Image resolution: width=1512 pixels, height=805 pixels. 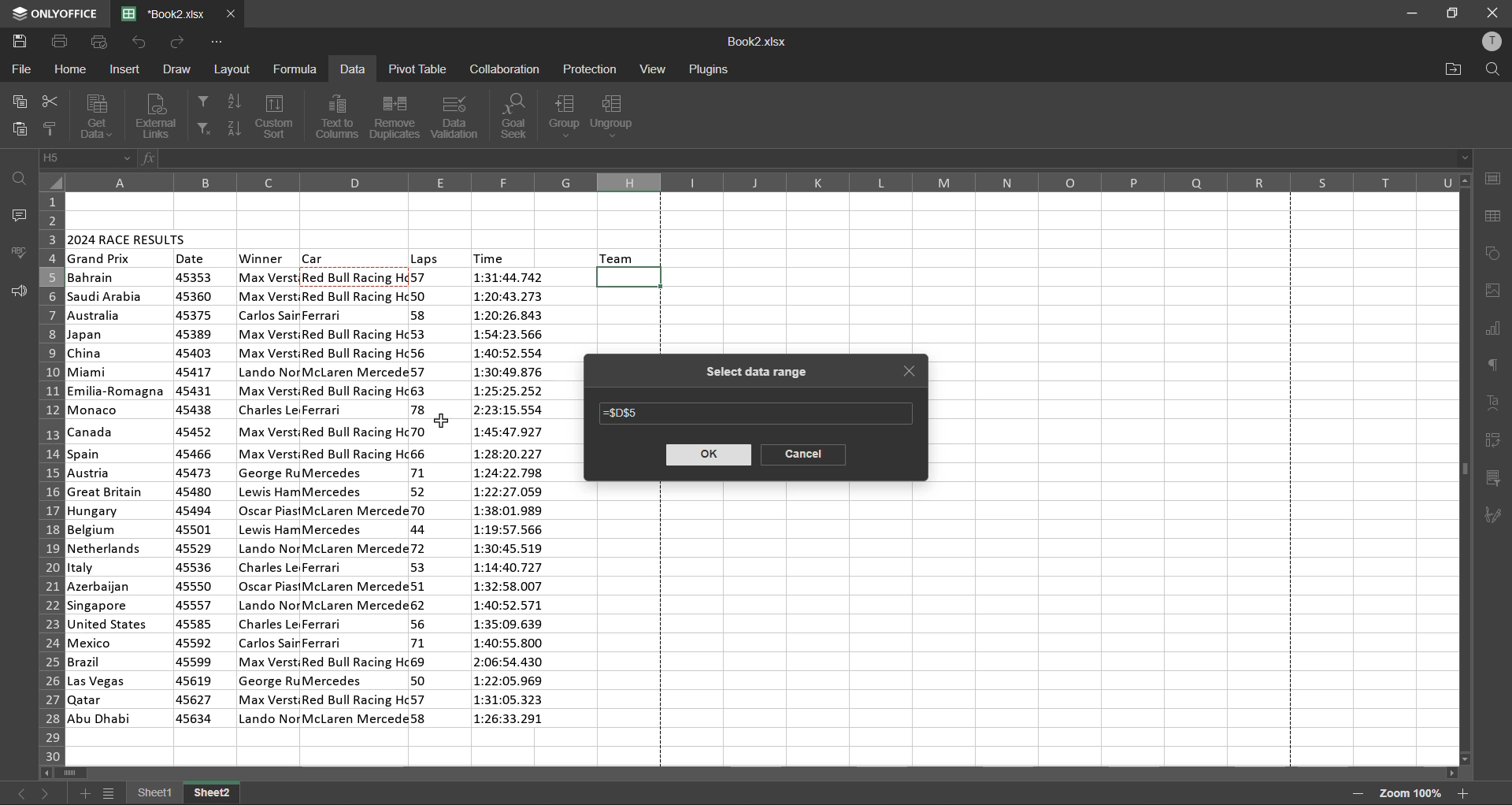 What do you see at coordinates (762, 182) in the screenshot?
I see `column names` at bounding box center [762, 182].